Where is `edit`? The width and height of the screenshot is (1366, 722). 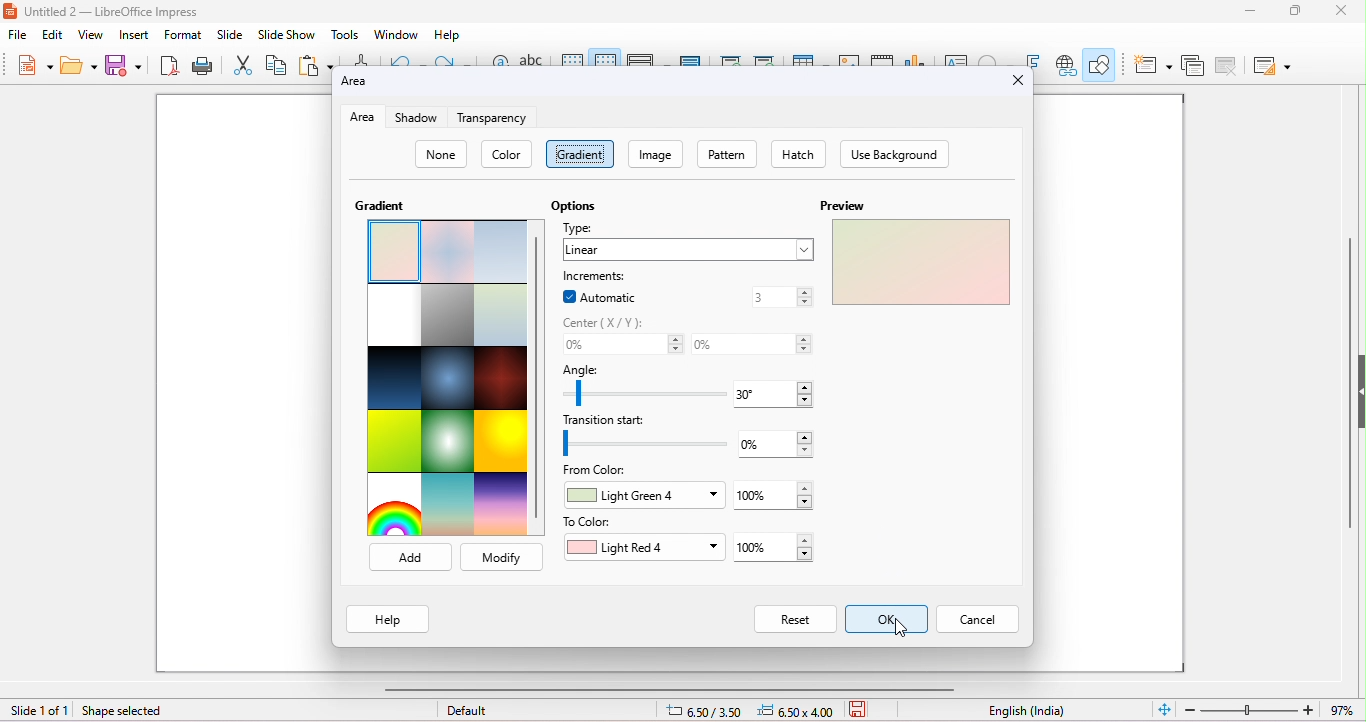 edit is located at coordinates (52, 36).